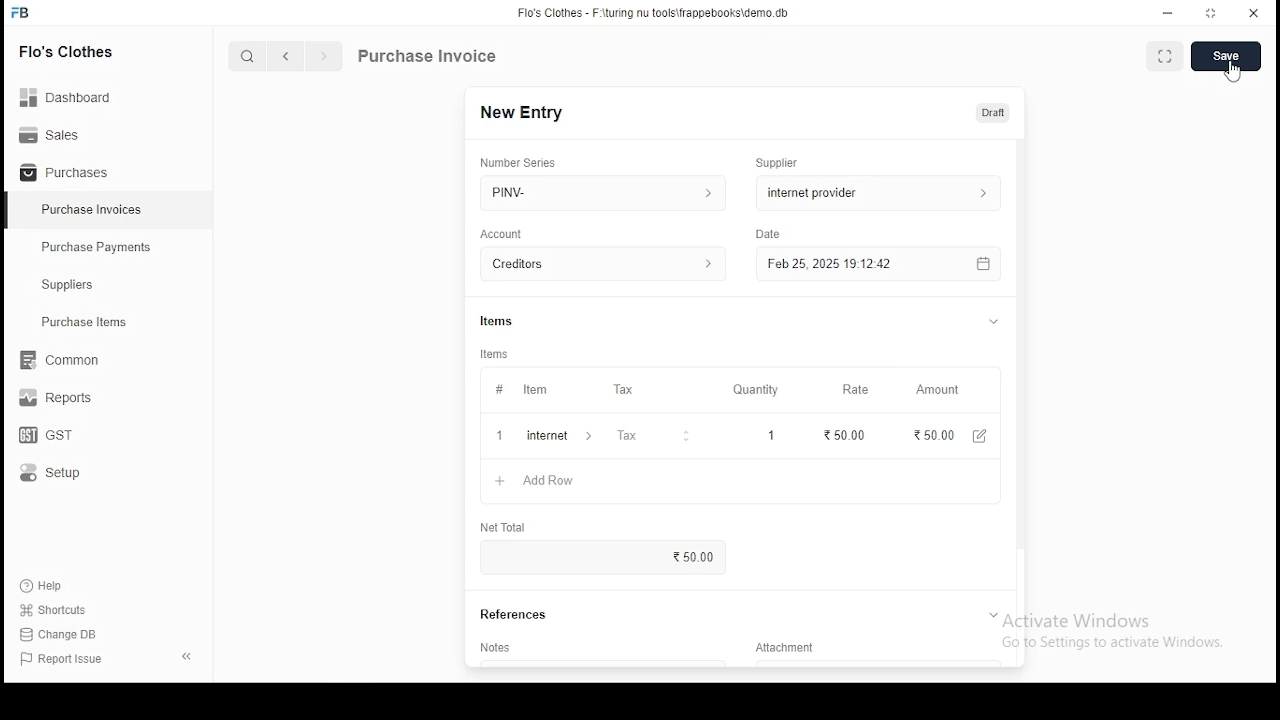  What do you see at coordinates (765, 435) in the screenshot?
I see `1` at bounding box center [765, 435].